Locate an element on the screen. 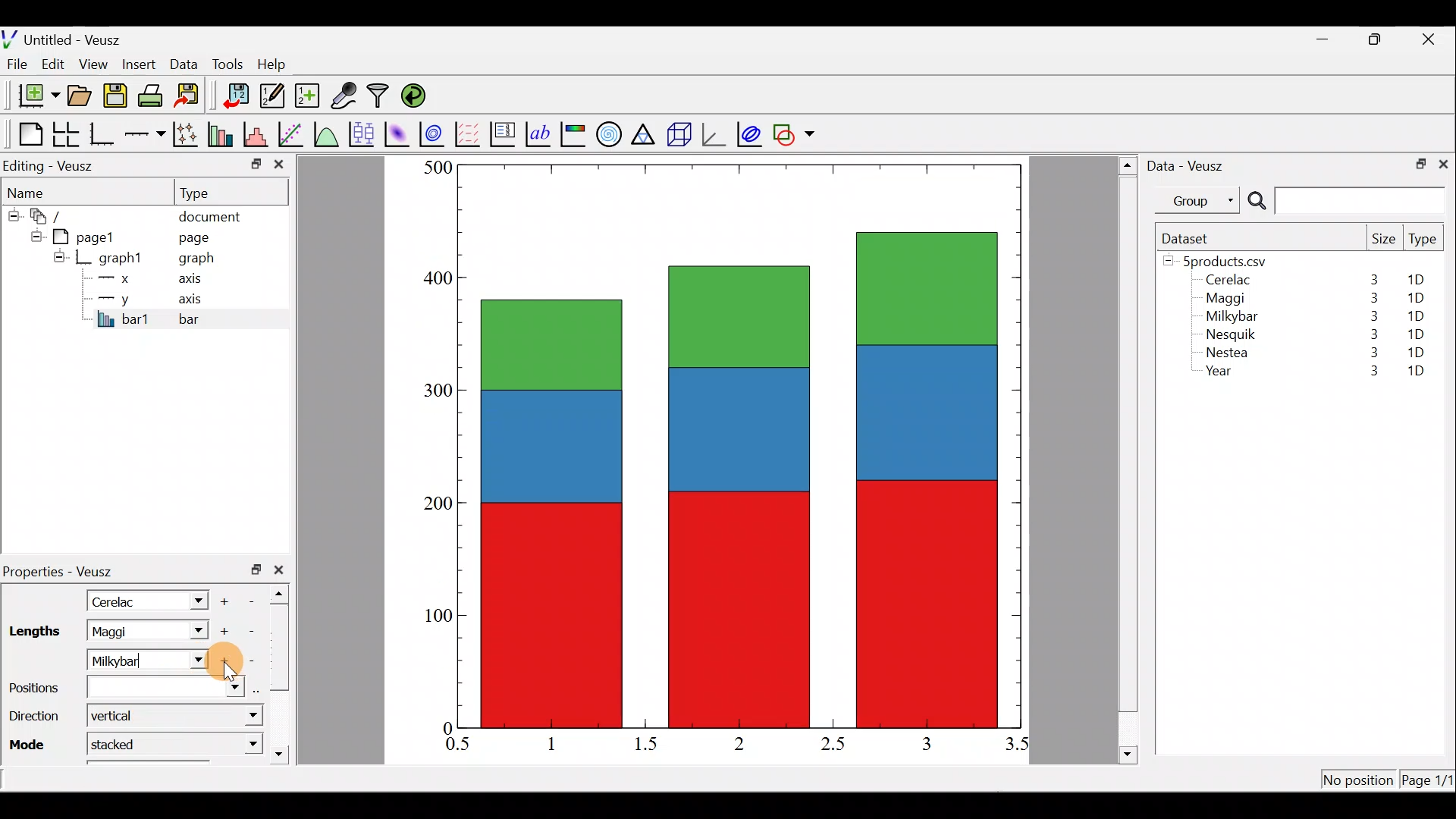 The image size is (1456, 819). Mode is located at coordinates (31, 743).